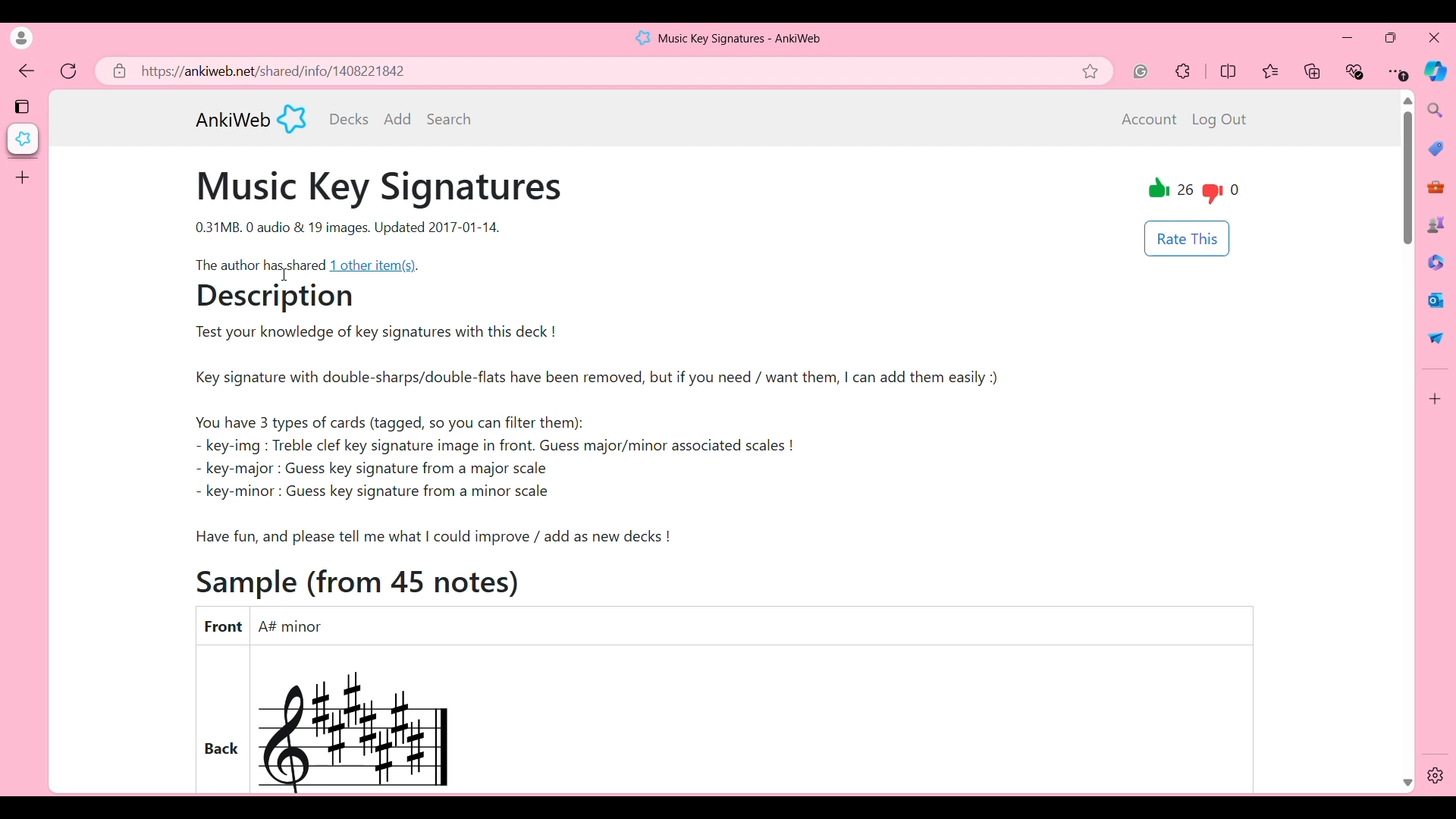  Describe the element at coordinates (1141, 71) in the screenshot. I see `Grammarly extension` at that location.